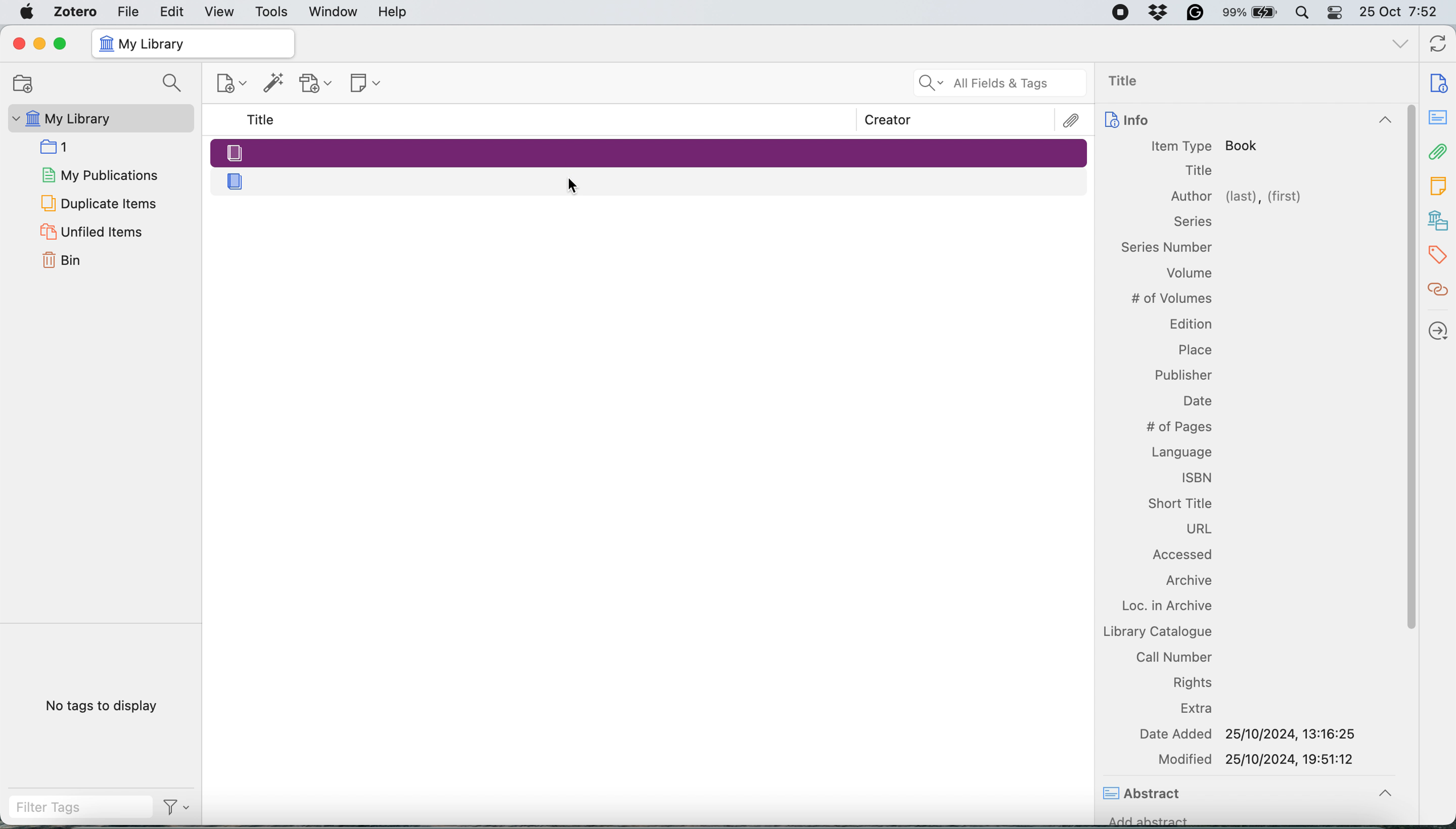 The image size is (1456, 829). What do you see at coordinates (1439, 331) in the screenshot?
I see `Locate` at bounding box center [1439, 331].